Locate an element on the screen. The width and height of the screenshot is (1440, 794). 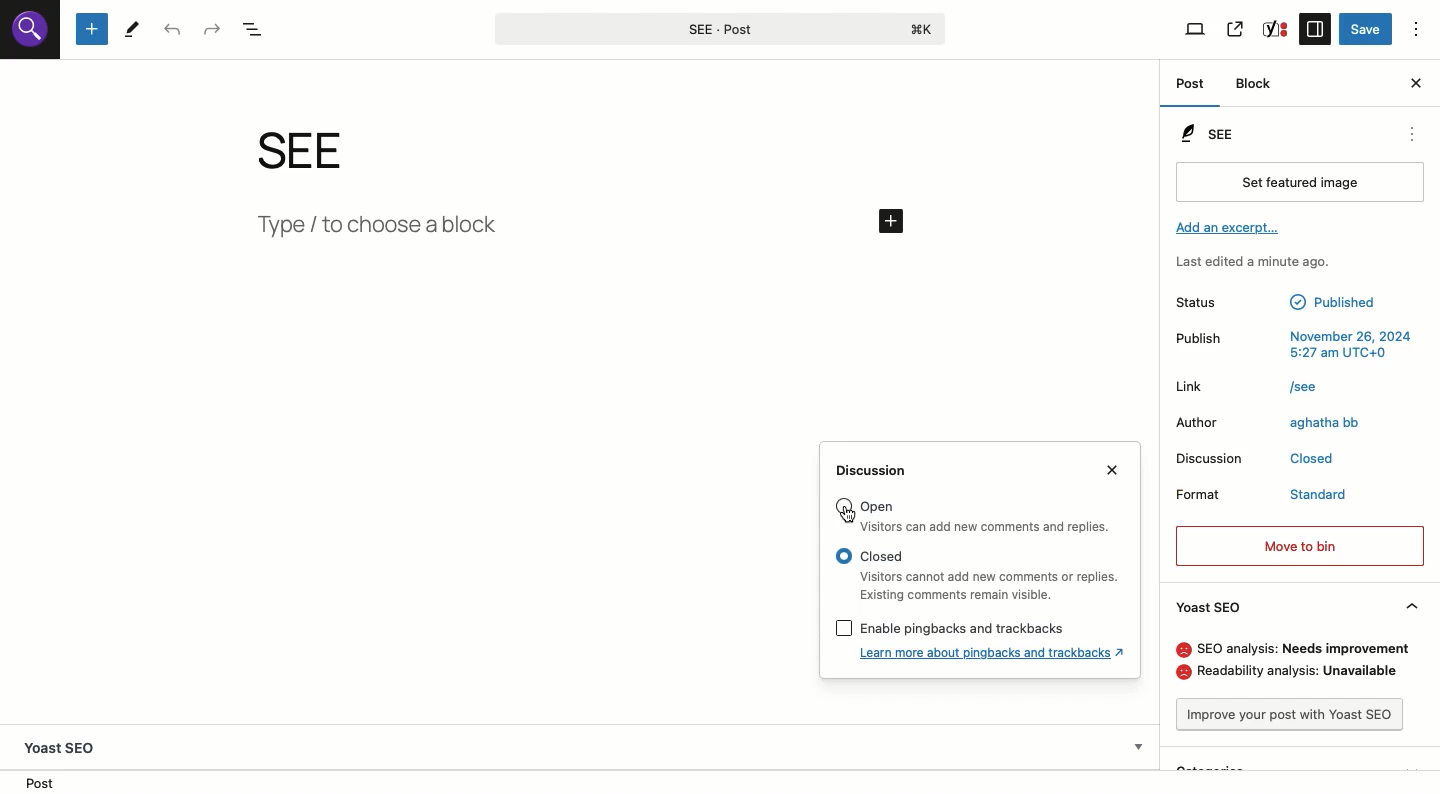
Close is located at coordinates (1416, 84).